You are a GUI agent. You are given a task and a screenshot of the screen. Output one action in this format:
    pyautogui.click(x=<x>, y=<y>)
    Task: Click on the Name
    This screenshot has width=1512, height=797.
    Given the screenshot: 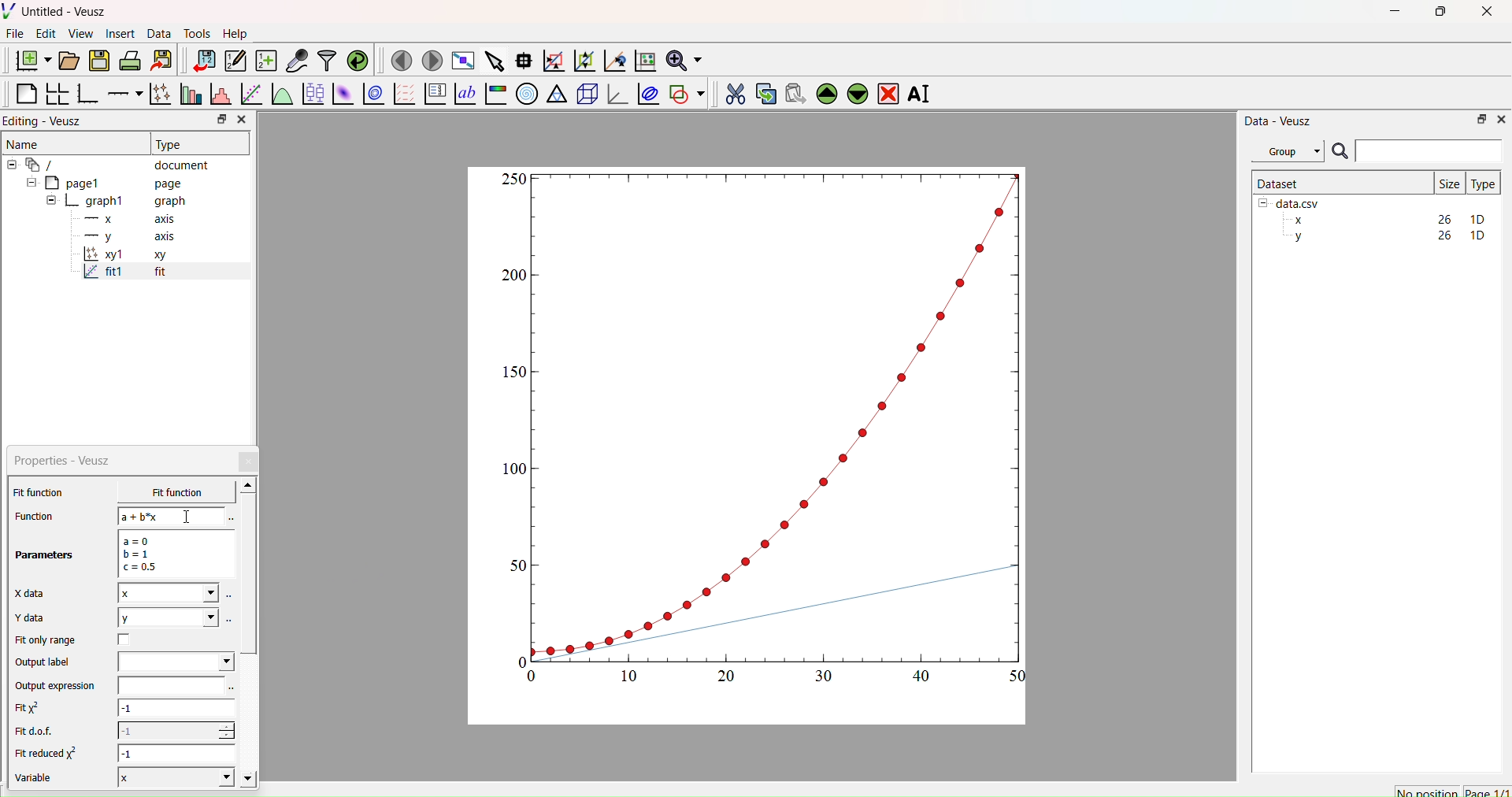 What is the action you would take?
    pyautogui.click(x=24, y=143)
    